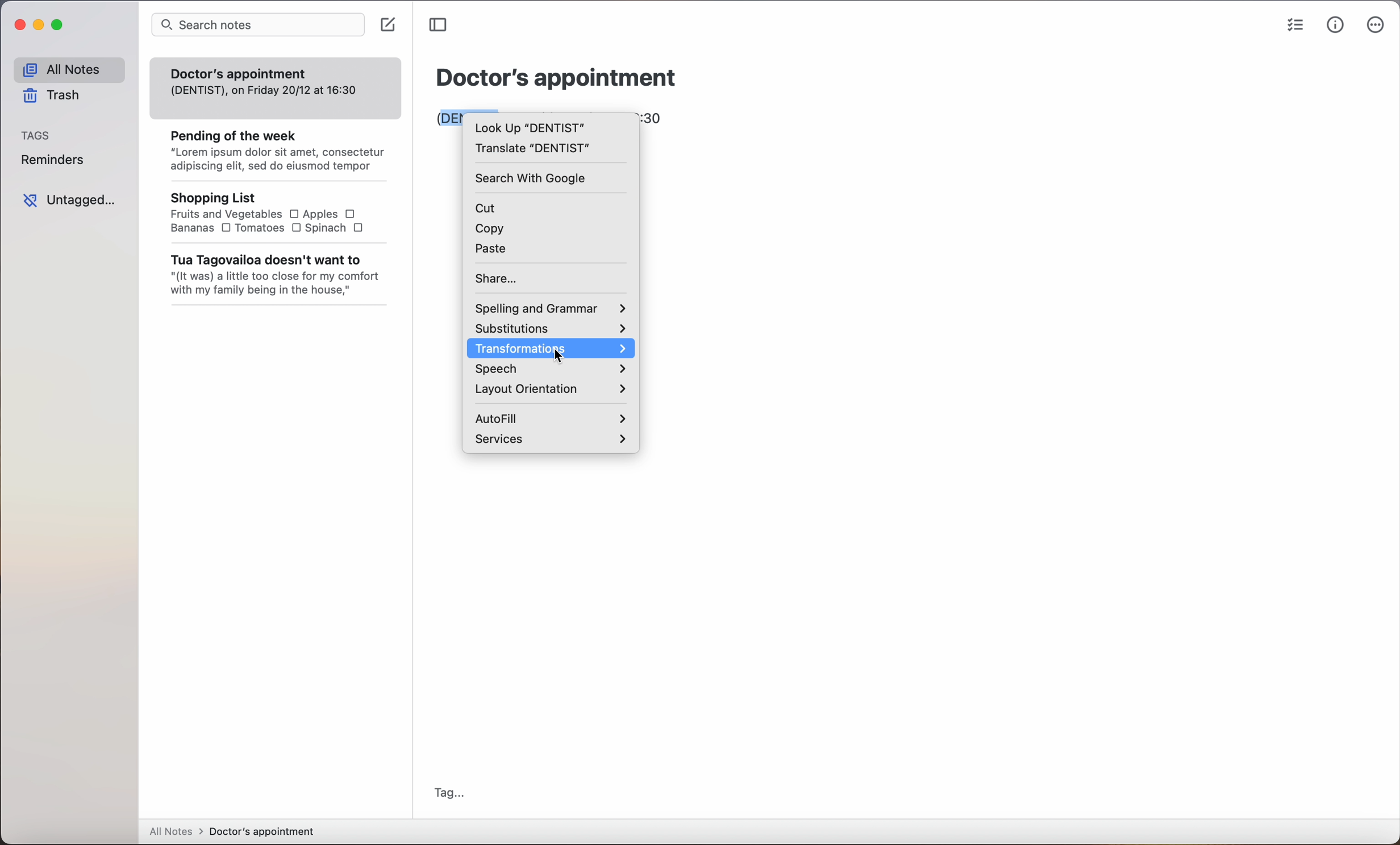  Describe the element at coordinates (533, 179) in the screenshot. I see `search with Google` at that location.